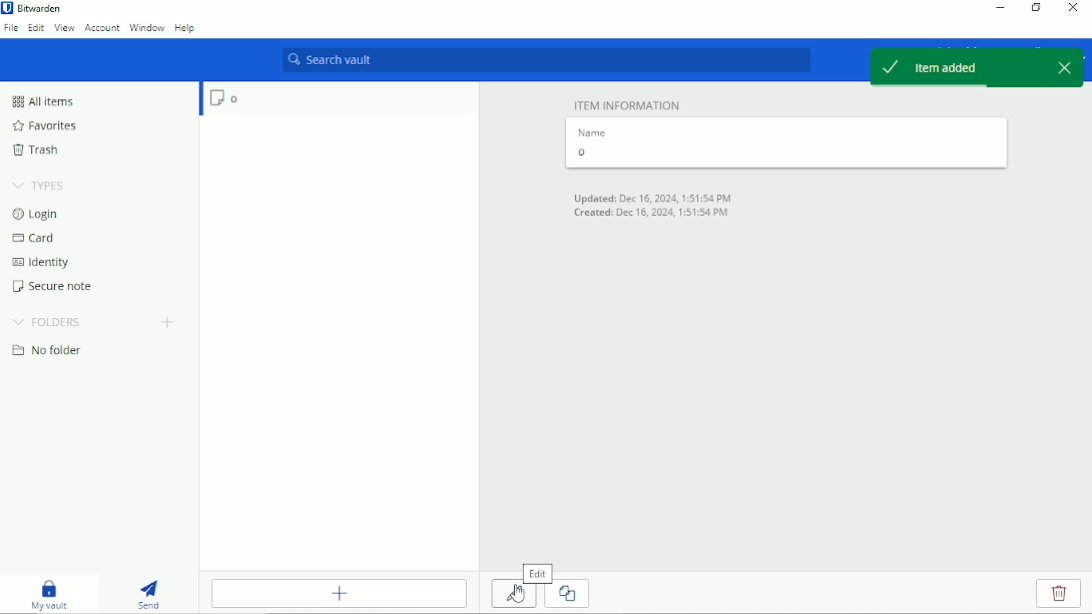 The image size is (1092, 614). I want to click on Edit, so click(37, 28).